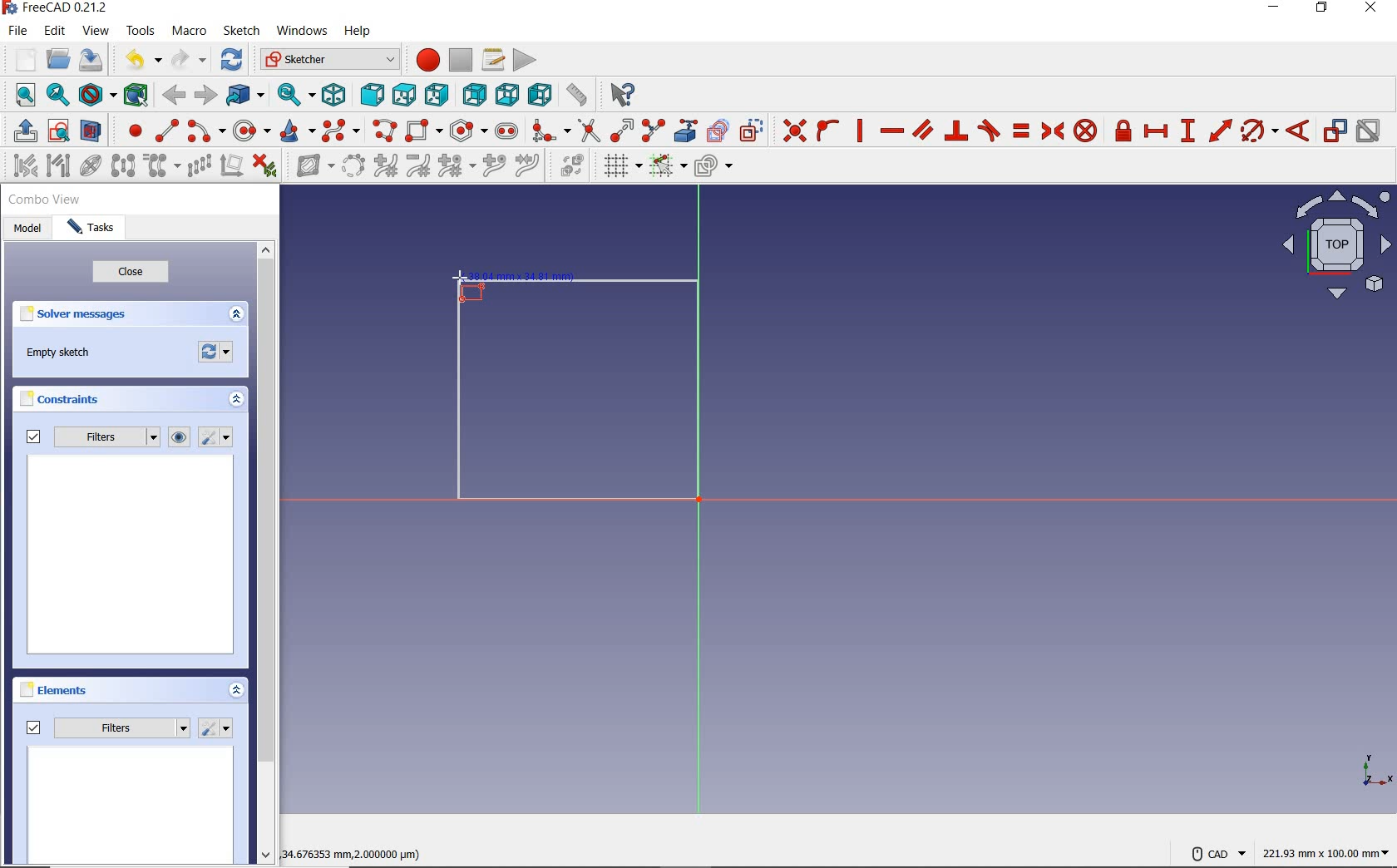 Image resolution: width=1397 pixels, height=868 pixels. What do you see at coordinates (578, 392) in the screenshot?
I see `drawing sketch` at bounding box center [578, 392].